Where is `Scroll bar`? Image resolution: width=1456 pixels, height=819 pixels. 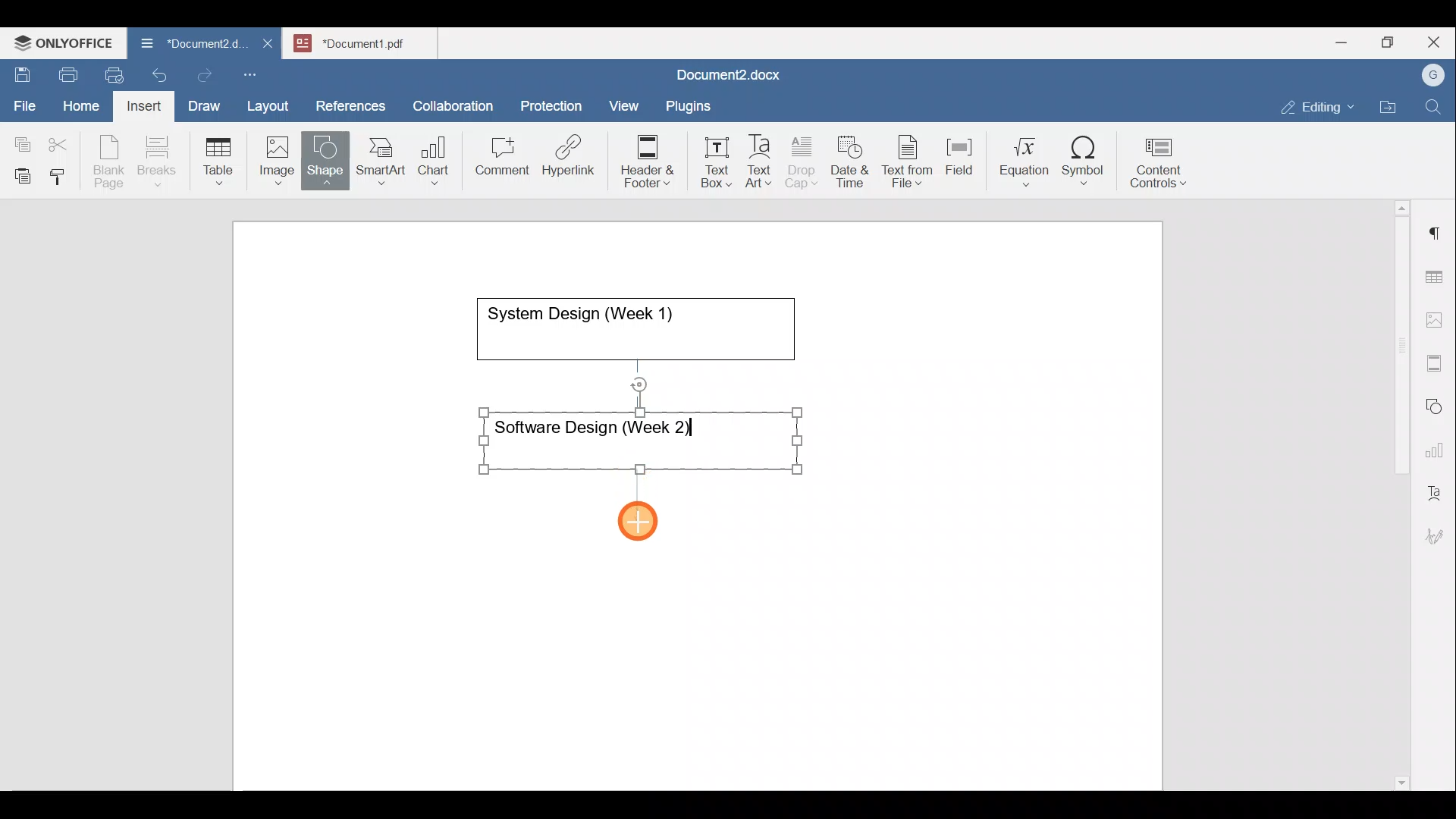 Scroll bar is located at coordinates (1396, 492).